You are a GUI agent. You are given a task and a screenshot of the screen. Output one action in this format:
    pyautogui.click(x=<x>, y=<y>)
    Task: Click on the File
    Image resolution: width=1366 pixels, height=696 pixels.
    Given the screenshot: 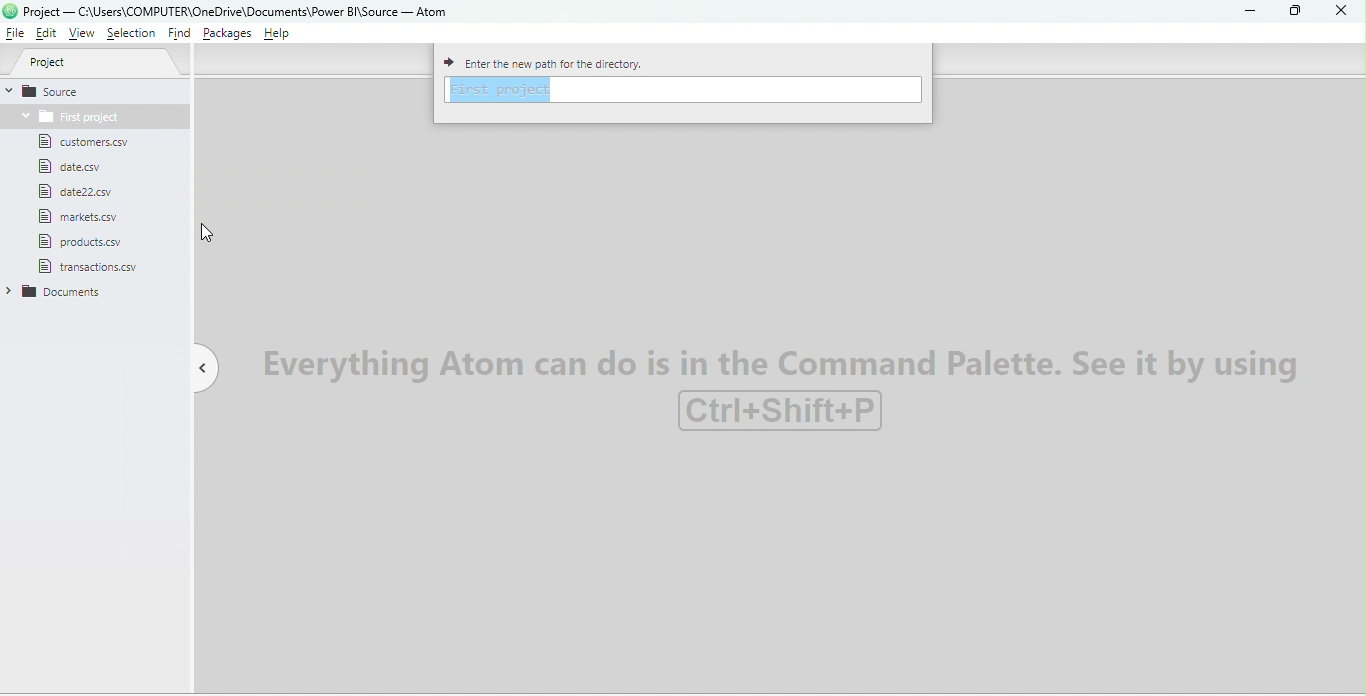 What is the action you would take?
    pyautogui.click(x=91, y=266)
    